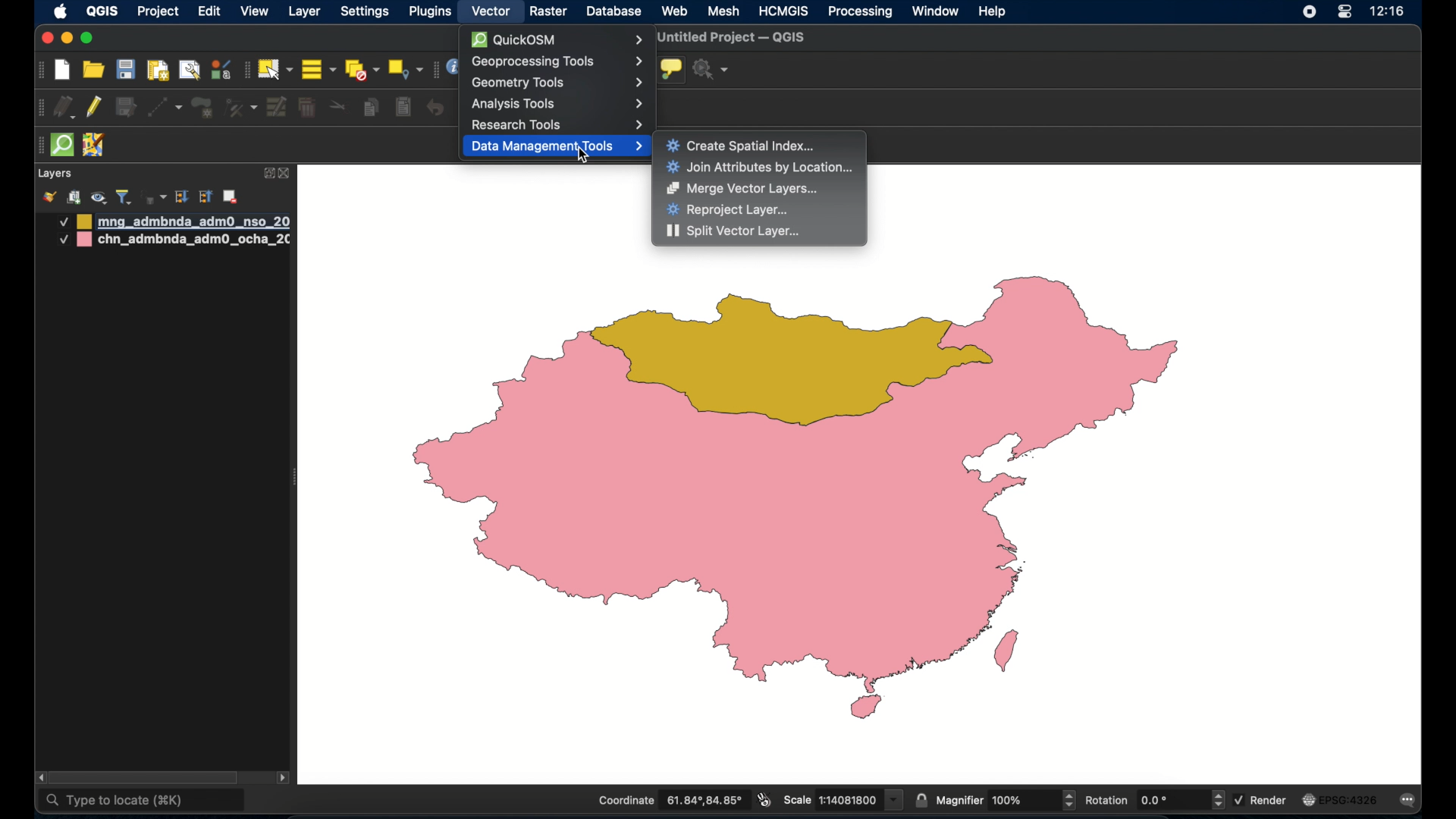 The image size is (1456, 819). What do you see at coordinates (724, 11) in the screenshot?
I see `mesh` at bounding box center [724, 11].